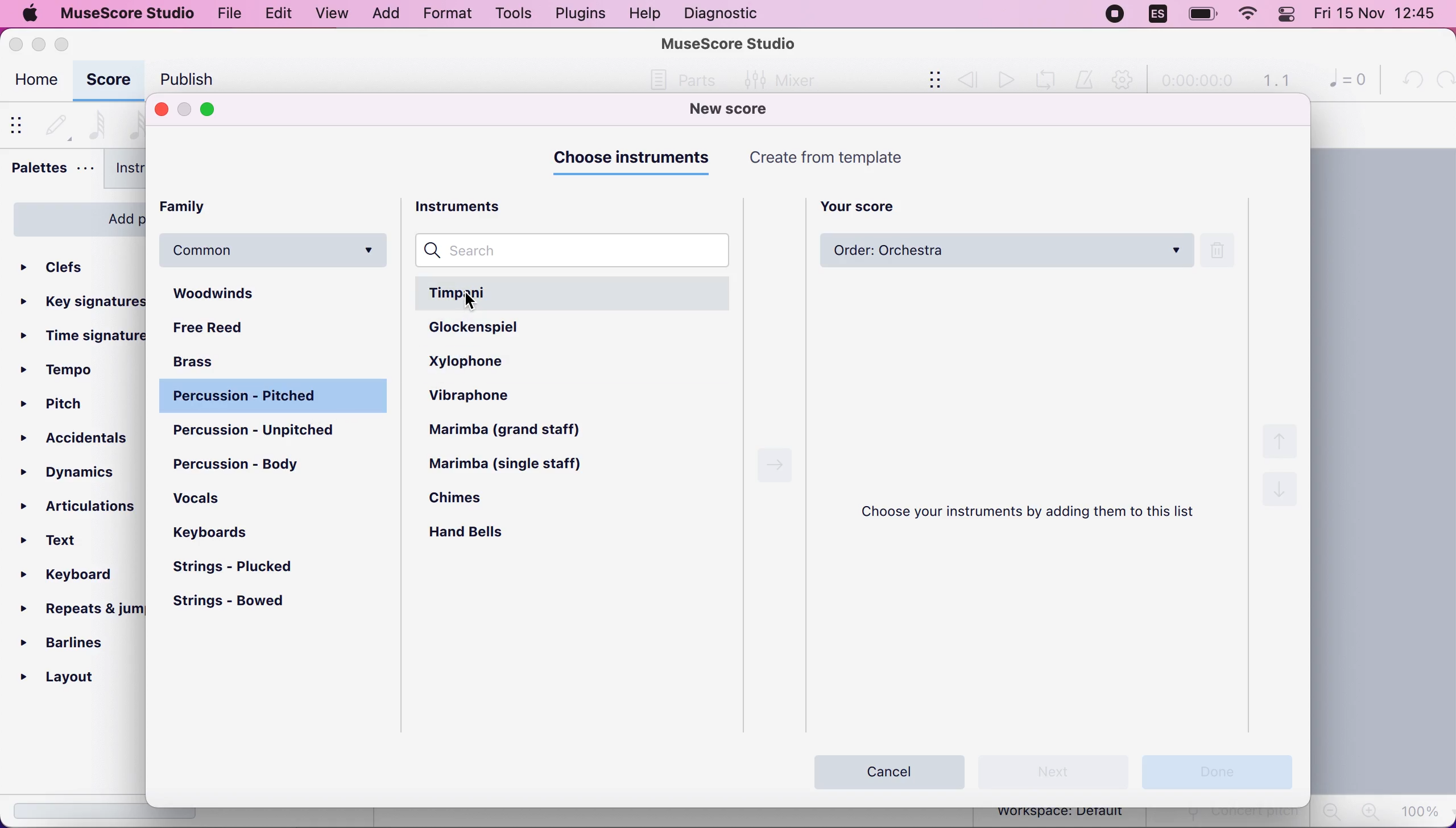  What do you see at coordinates (64, 541) in the screenshot?
I see `text` at bounding box center [64, 541].